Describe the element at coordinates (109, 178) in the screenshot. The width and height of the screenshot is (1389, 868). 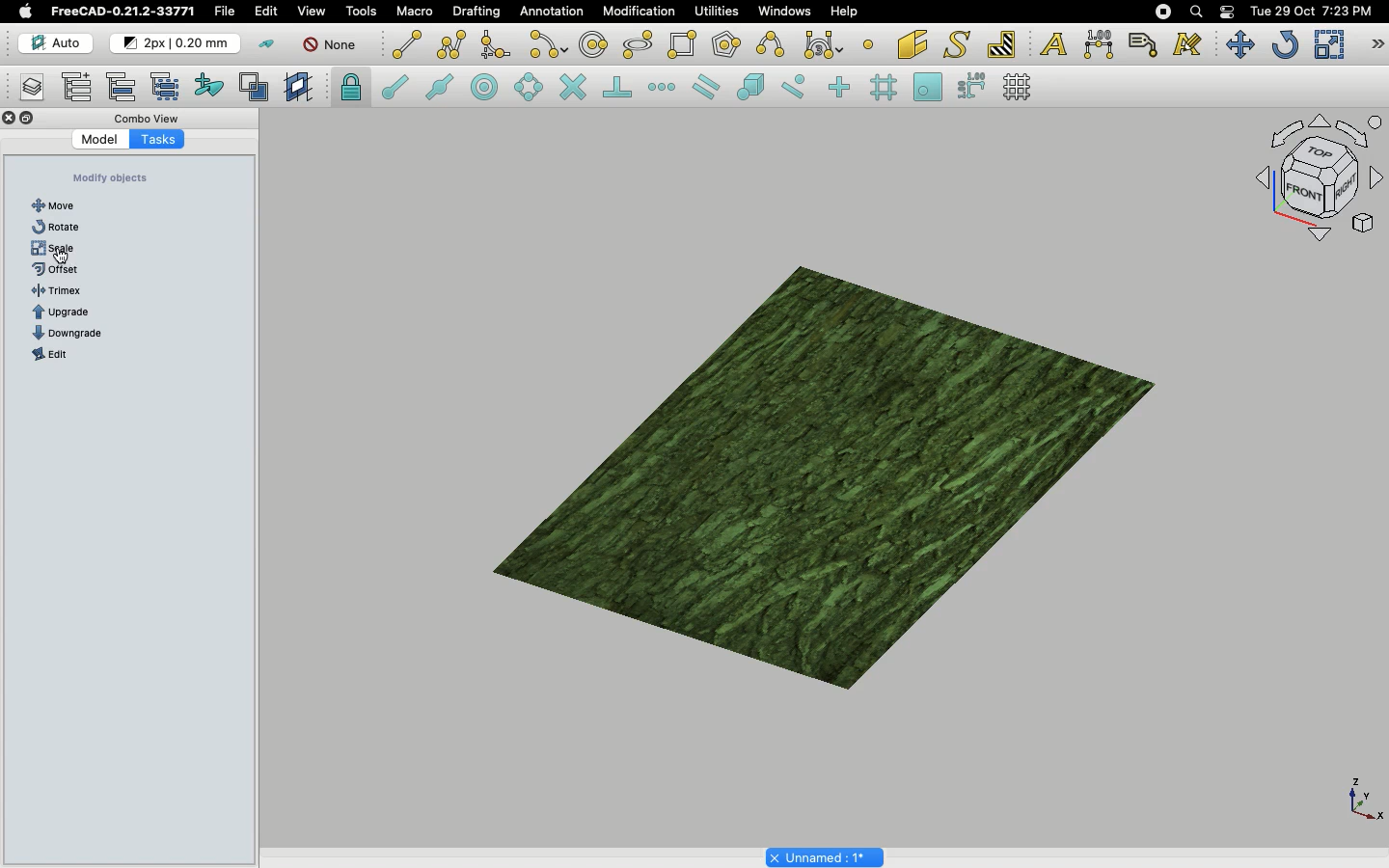
I see `Create objects` at that location.